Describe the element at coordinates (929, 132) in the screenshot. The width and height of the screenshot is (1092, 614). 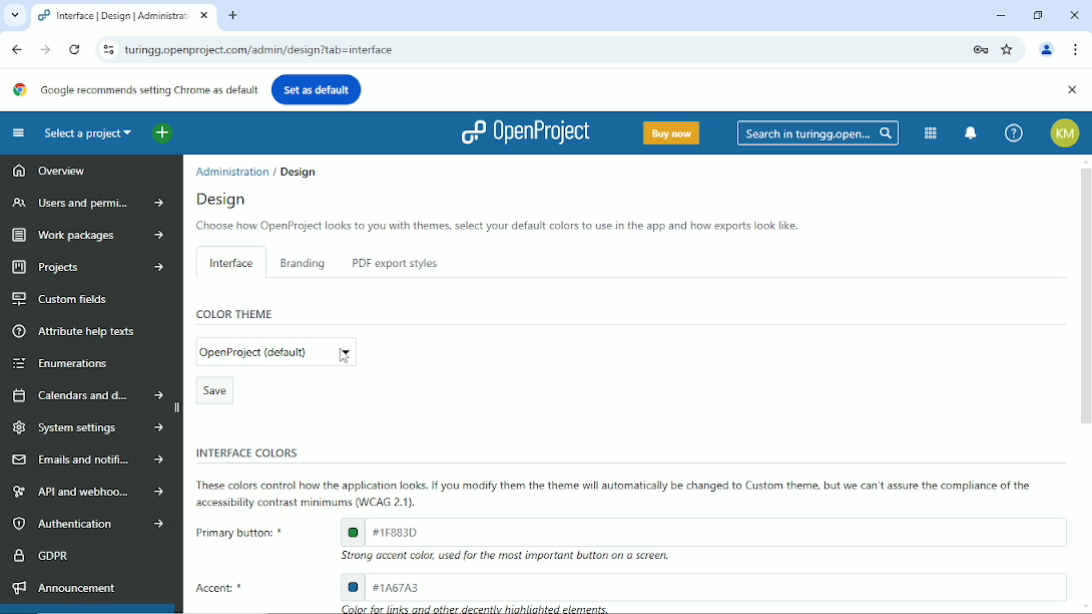
I see `Modules` at that location.